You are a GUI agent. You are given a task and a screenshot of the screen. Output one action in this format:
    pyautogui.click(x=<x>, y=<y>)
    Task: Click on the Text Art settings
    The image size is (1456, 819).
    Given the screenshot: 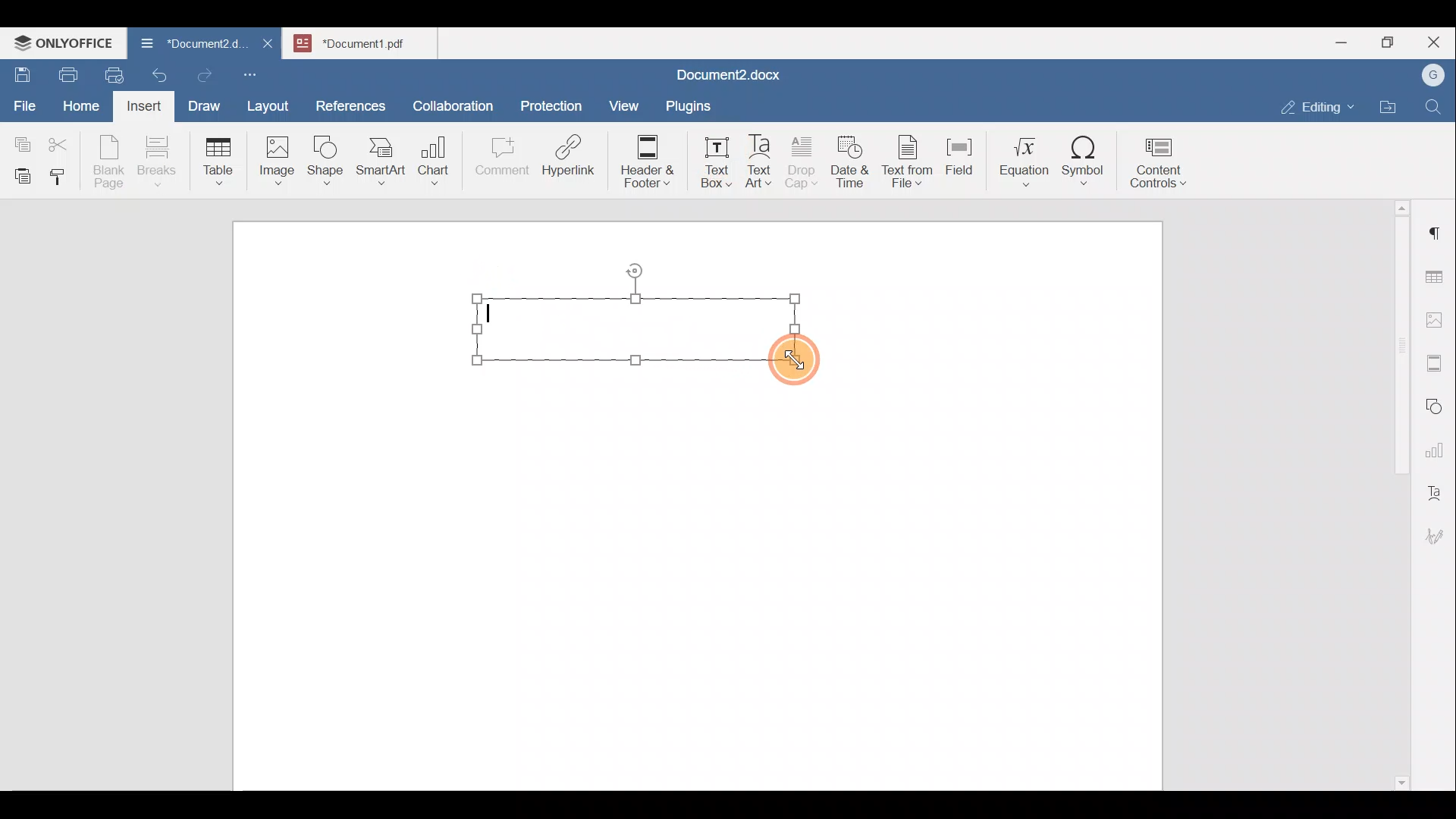 What is the action you would take?
    pyautogui.click(x=1436, y=487)
    